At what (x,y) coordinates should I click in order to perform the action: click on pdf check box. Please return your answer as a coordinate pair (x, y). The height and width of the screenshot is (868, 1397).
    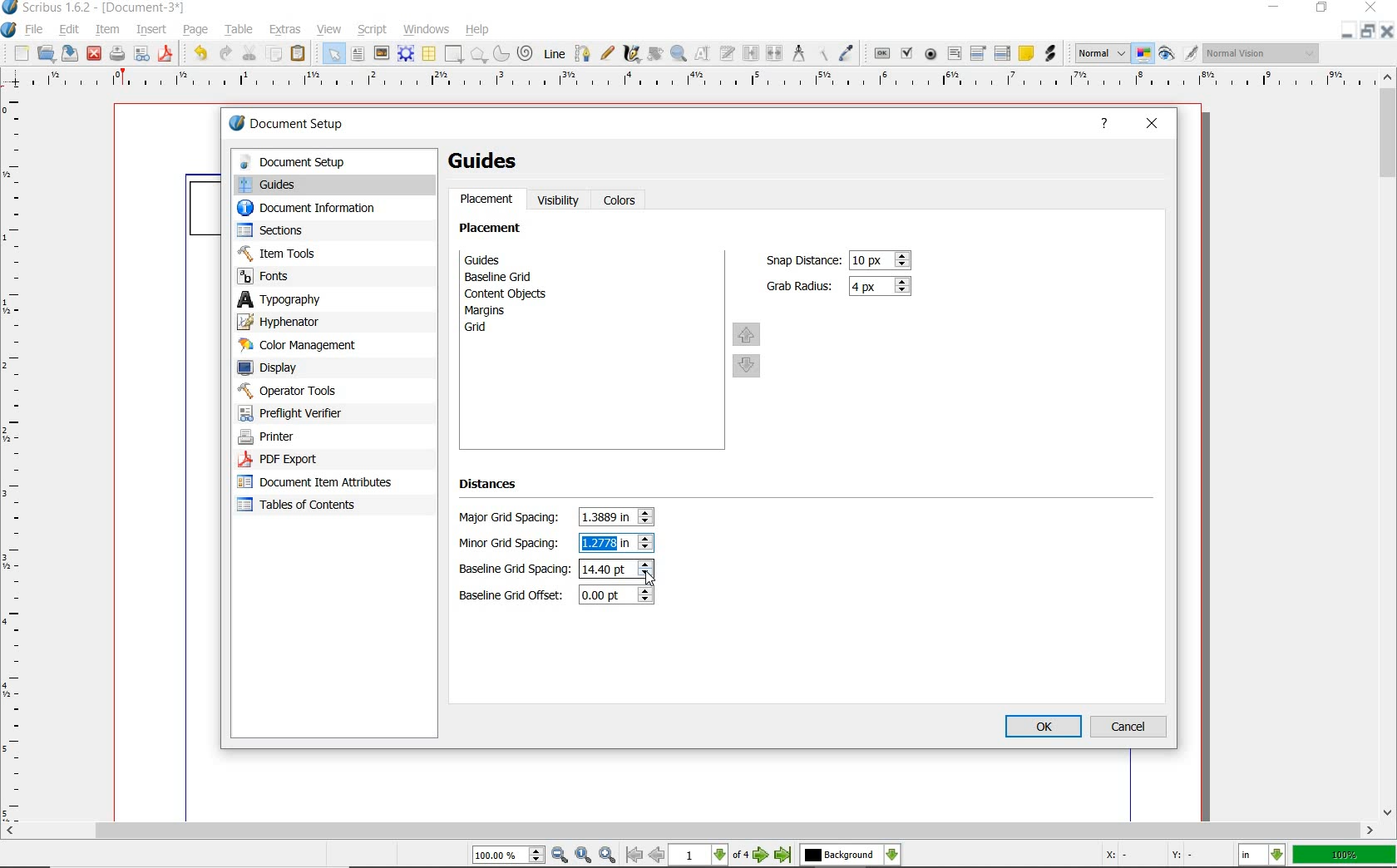
    Looking at the image, I should click on (906, 52).